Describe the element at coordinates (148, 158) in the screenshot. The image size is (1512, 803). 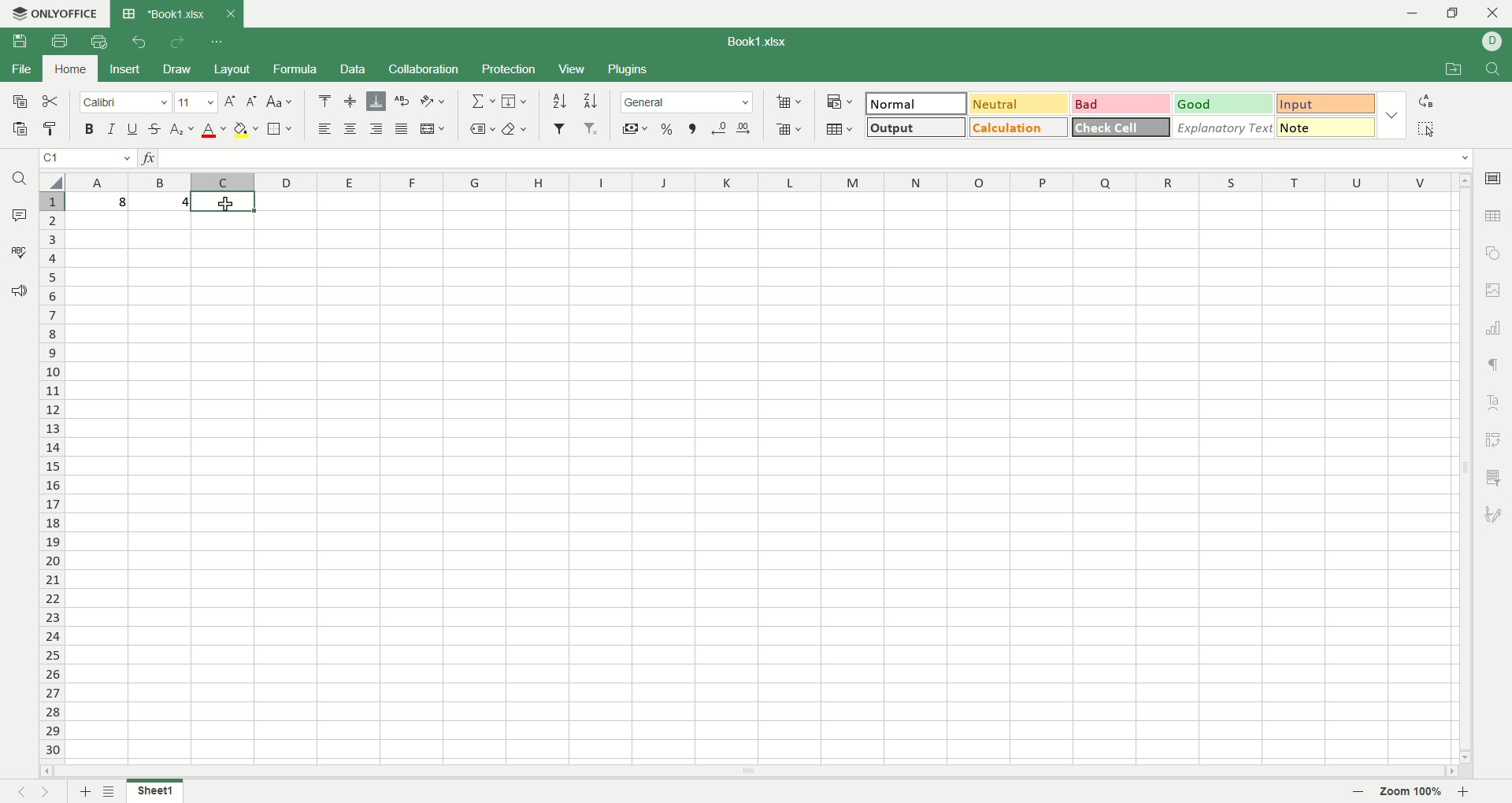
I see `insert function` at that location.